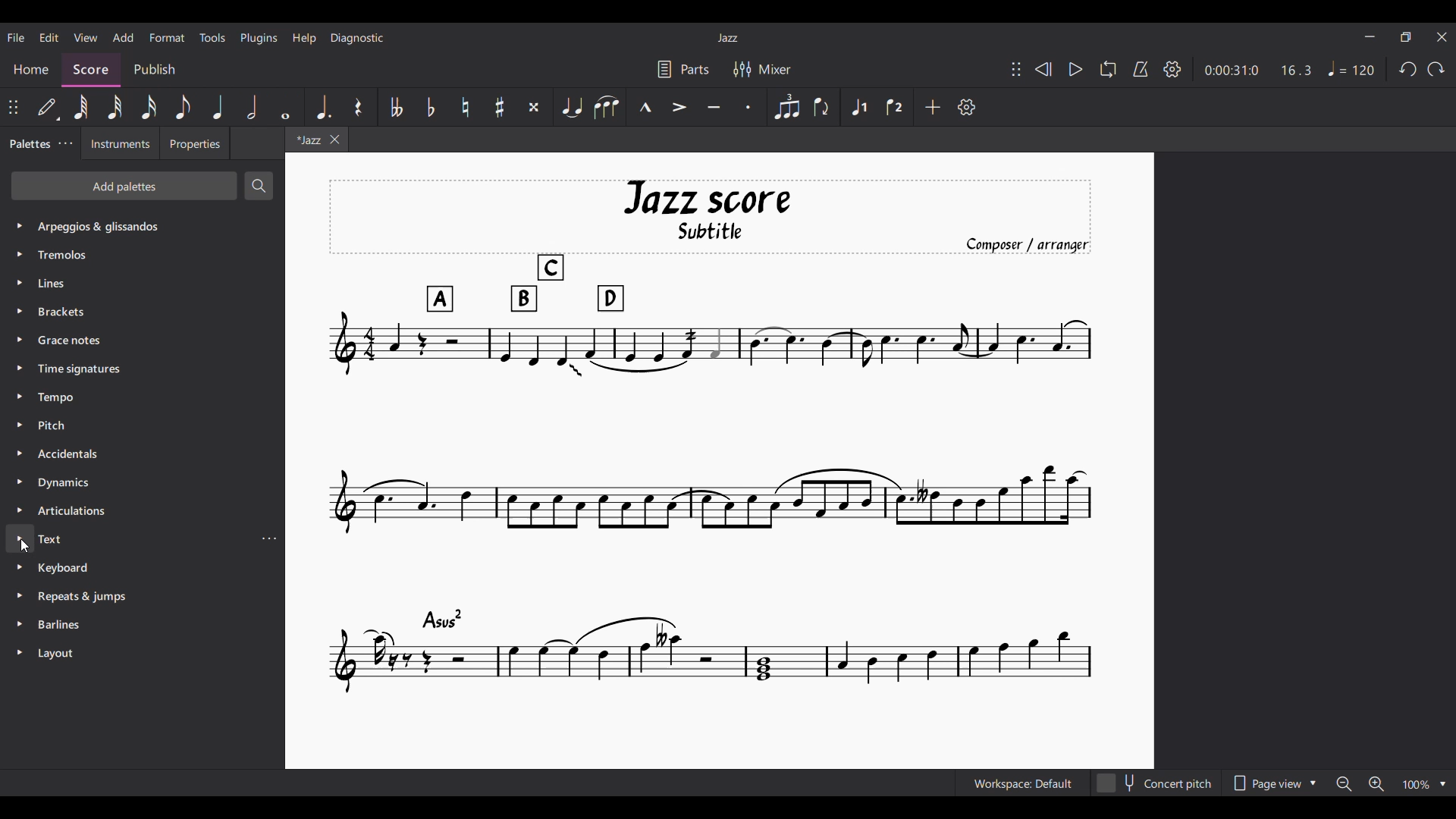  Describe the element at coordinates (65, 626) in the screenshot. I see `` at that location.